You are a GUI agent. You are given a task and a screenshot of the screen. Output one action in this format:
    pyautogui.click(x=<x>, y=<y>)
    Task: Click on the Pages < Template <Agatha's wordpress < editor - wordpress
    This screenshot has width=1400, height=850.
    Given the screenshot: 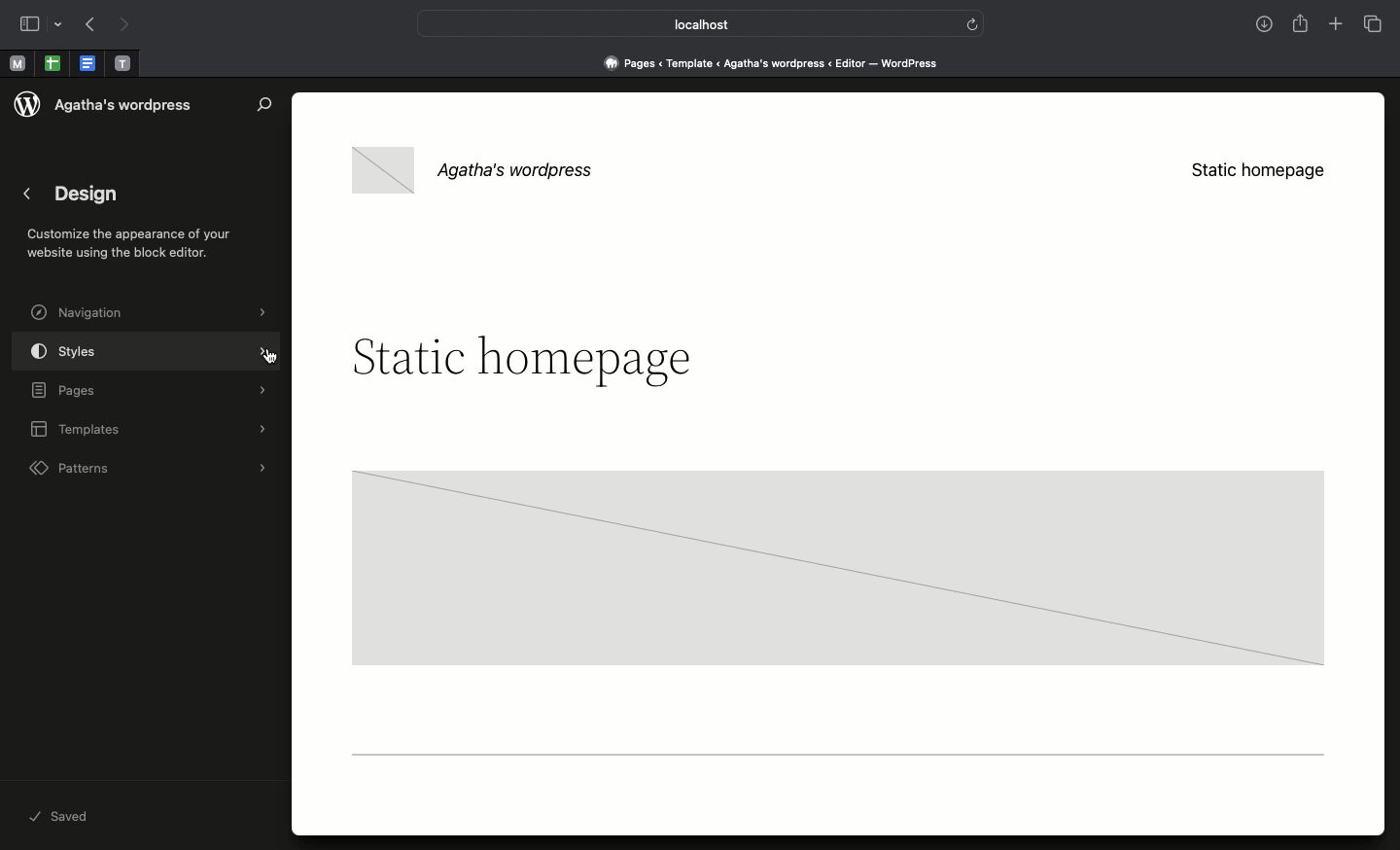 What is the action you would take?
    pyautogui.click(x=778, y=62)
    